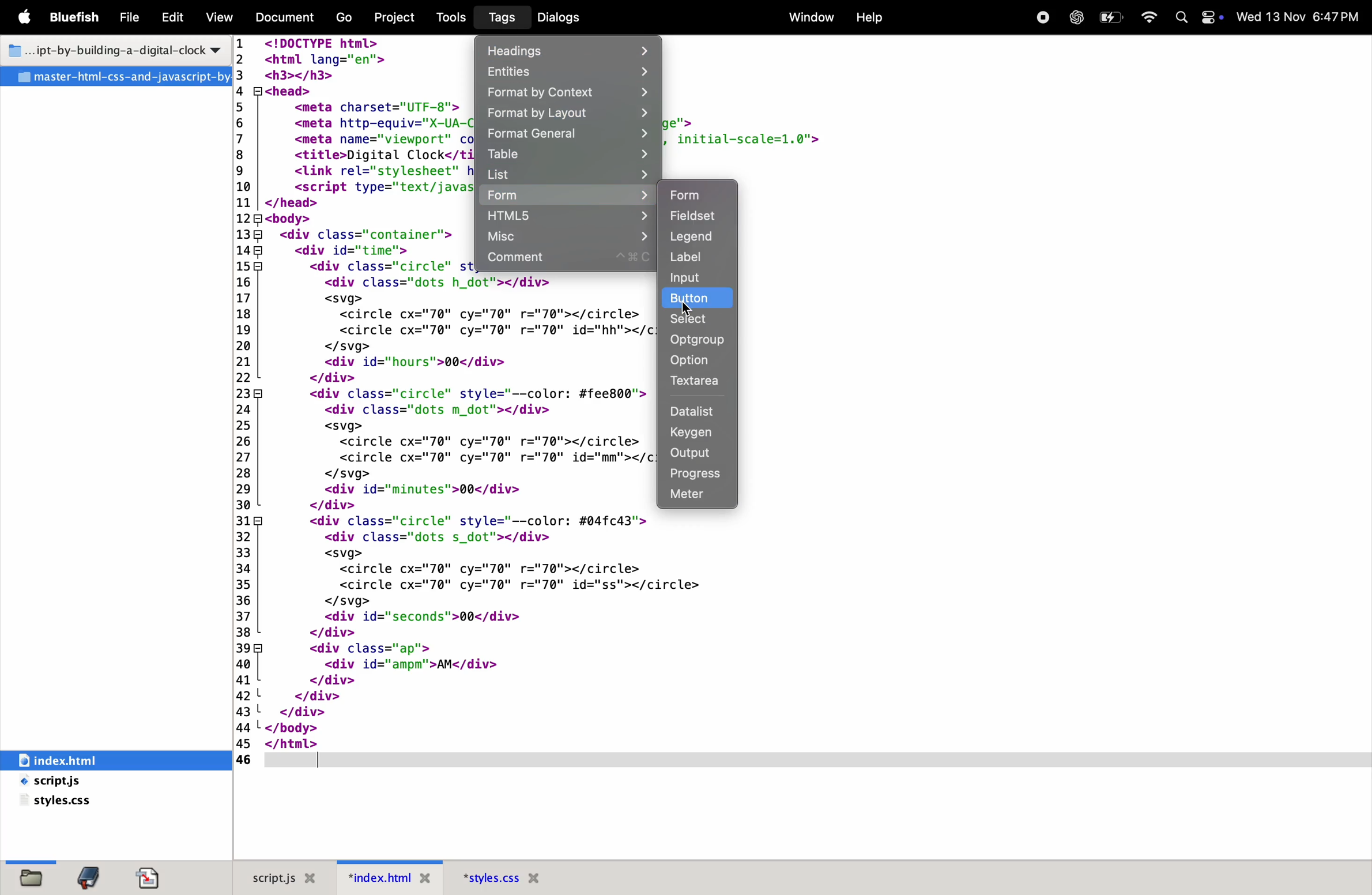 The image size is (1372, 895). What do you see at coordinates (566, 155) in the screenshot?
I see `table` at bounding box center [566, 155].